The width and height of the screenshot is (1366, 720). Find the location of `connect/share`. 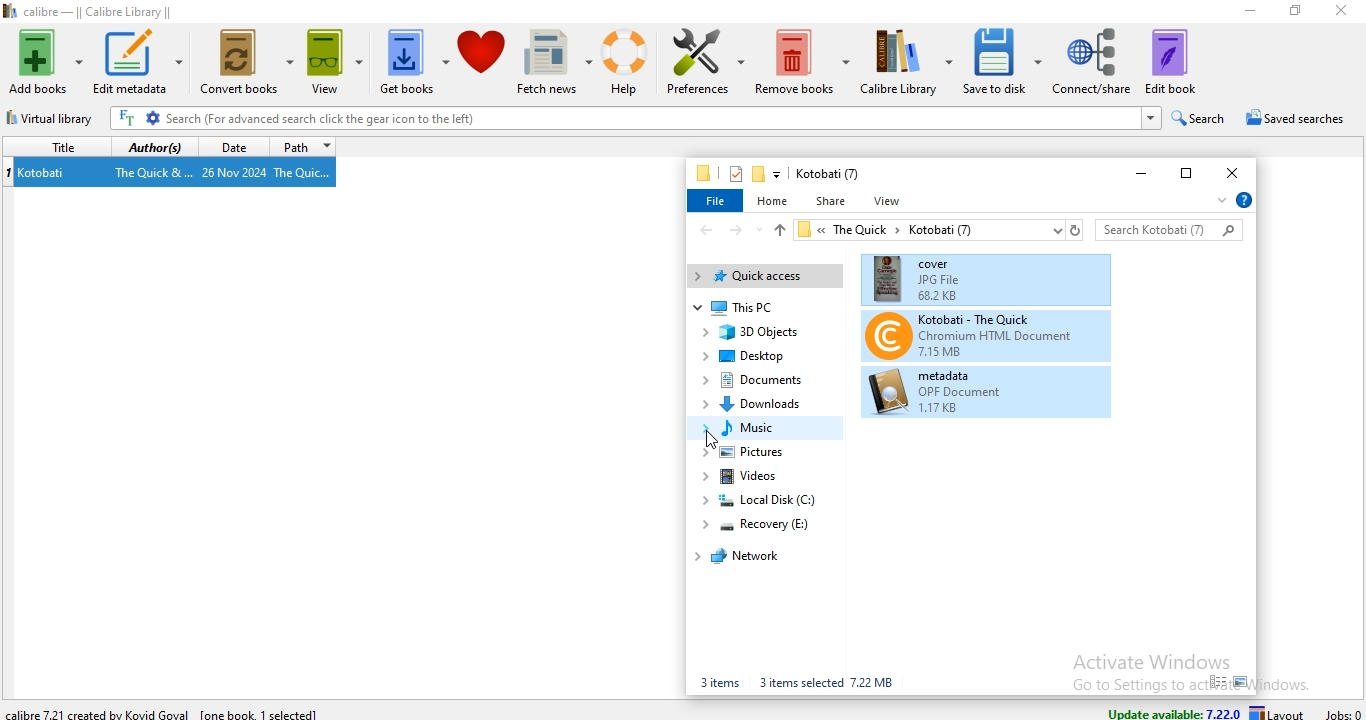

connect/share is located at coordinates (1092, 61).